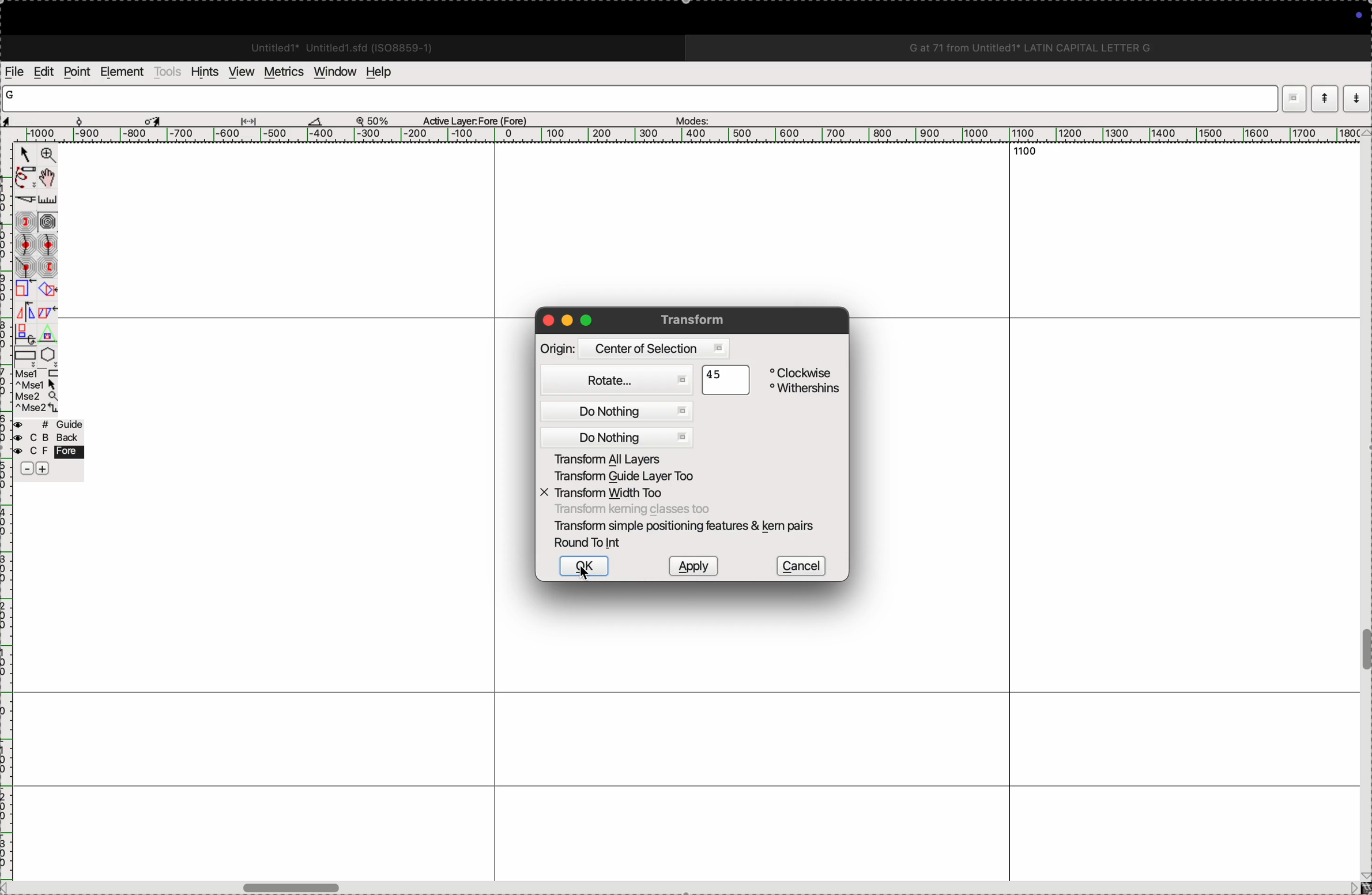 The image size is (1372, 895). What do you see at coordinates (385, 72) in the screenshot?
I see `help` at bounding box center [385, 72].